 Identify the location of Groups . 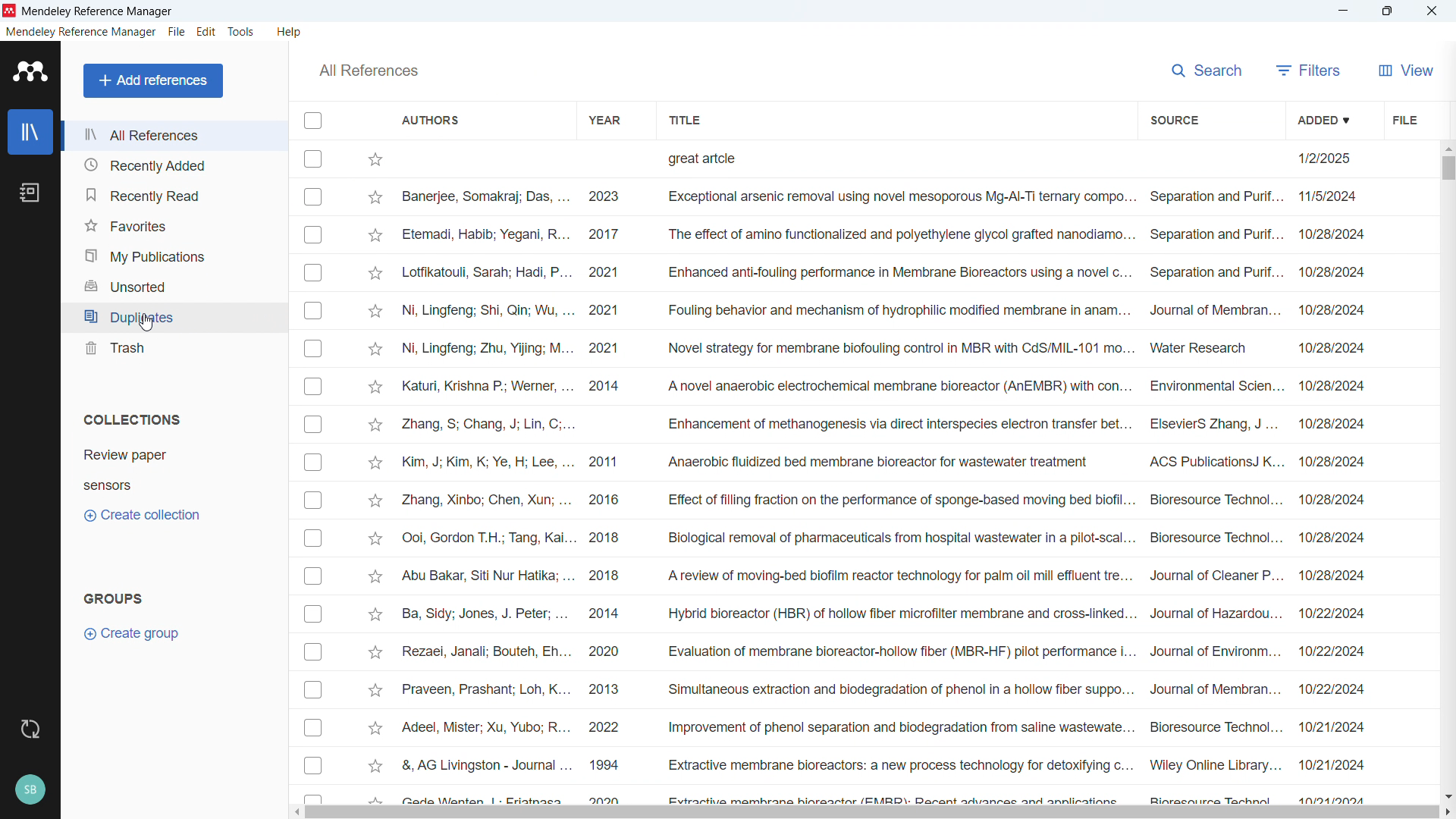
(115, 600).